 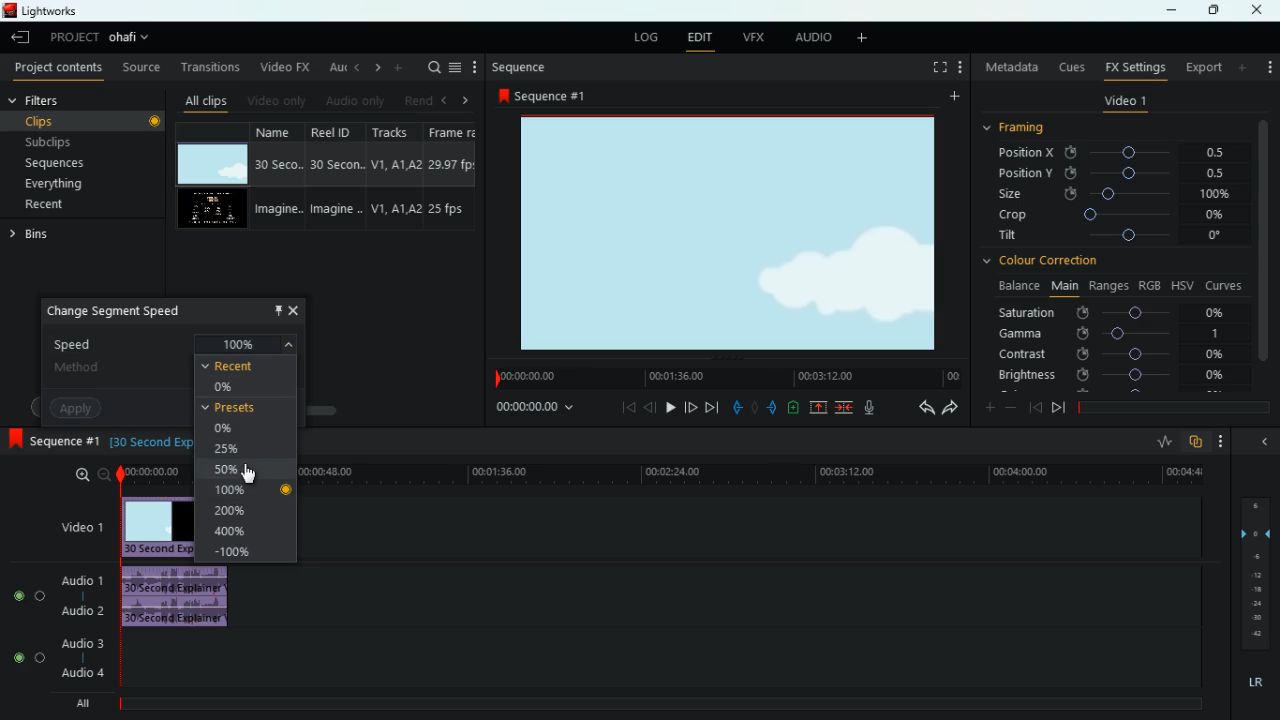 I want to click on plus, so click(x=985, y=406).